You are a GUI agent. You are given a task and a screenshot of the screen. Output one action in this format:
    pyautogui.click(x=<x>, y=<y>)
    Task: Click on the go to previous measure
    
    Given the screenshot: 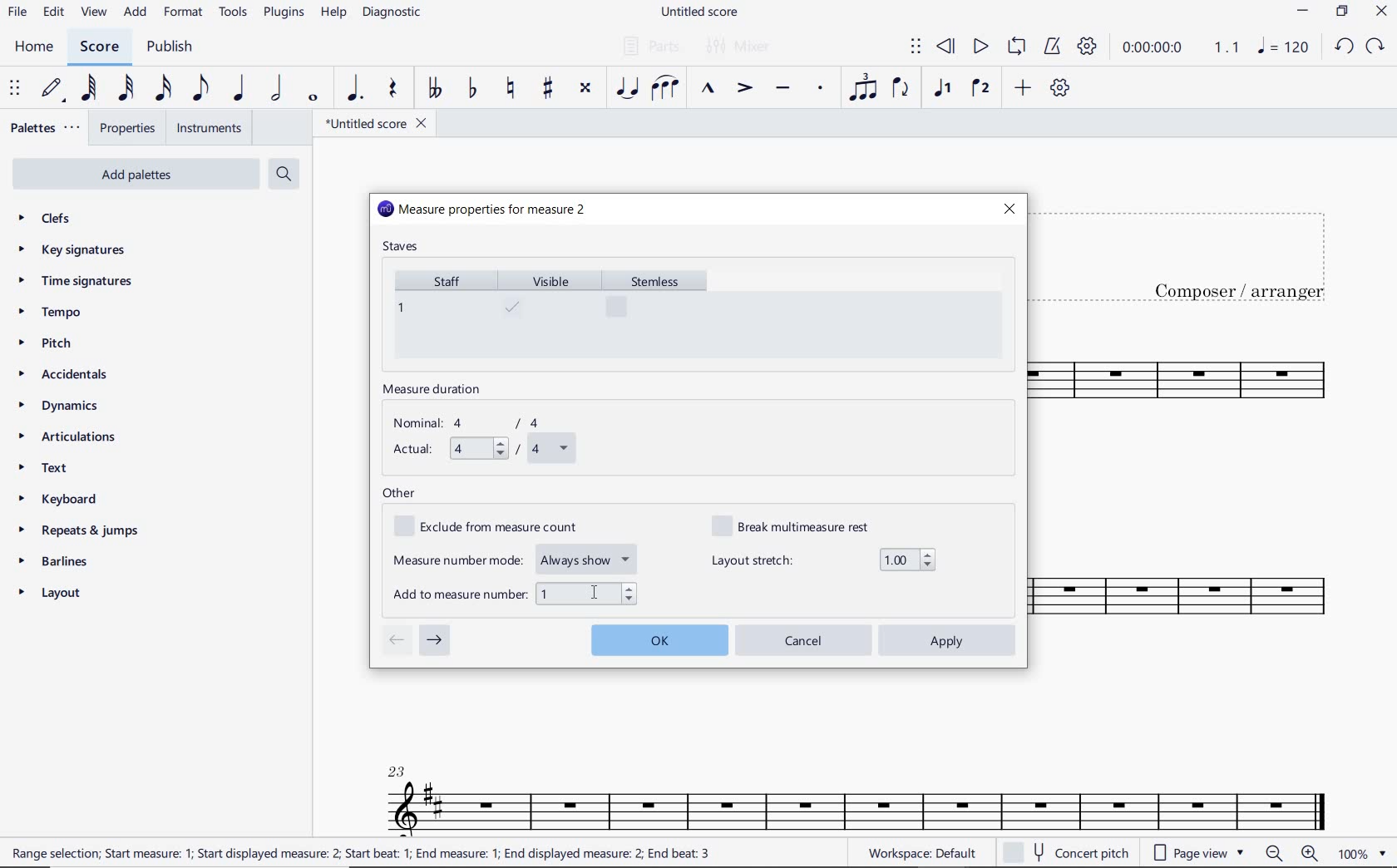 What is the action you would take?
    pyautogui.click(x=396, y=641)
    